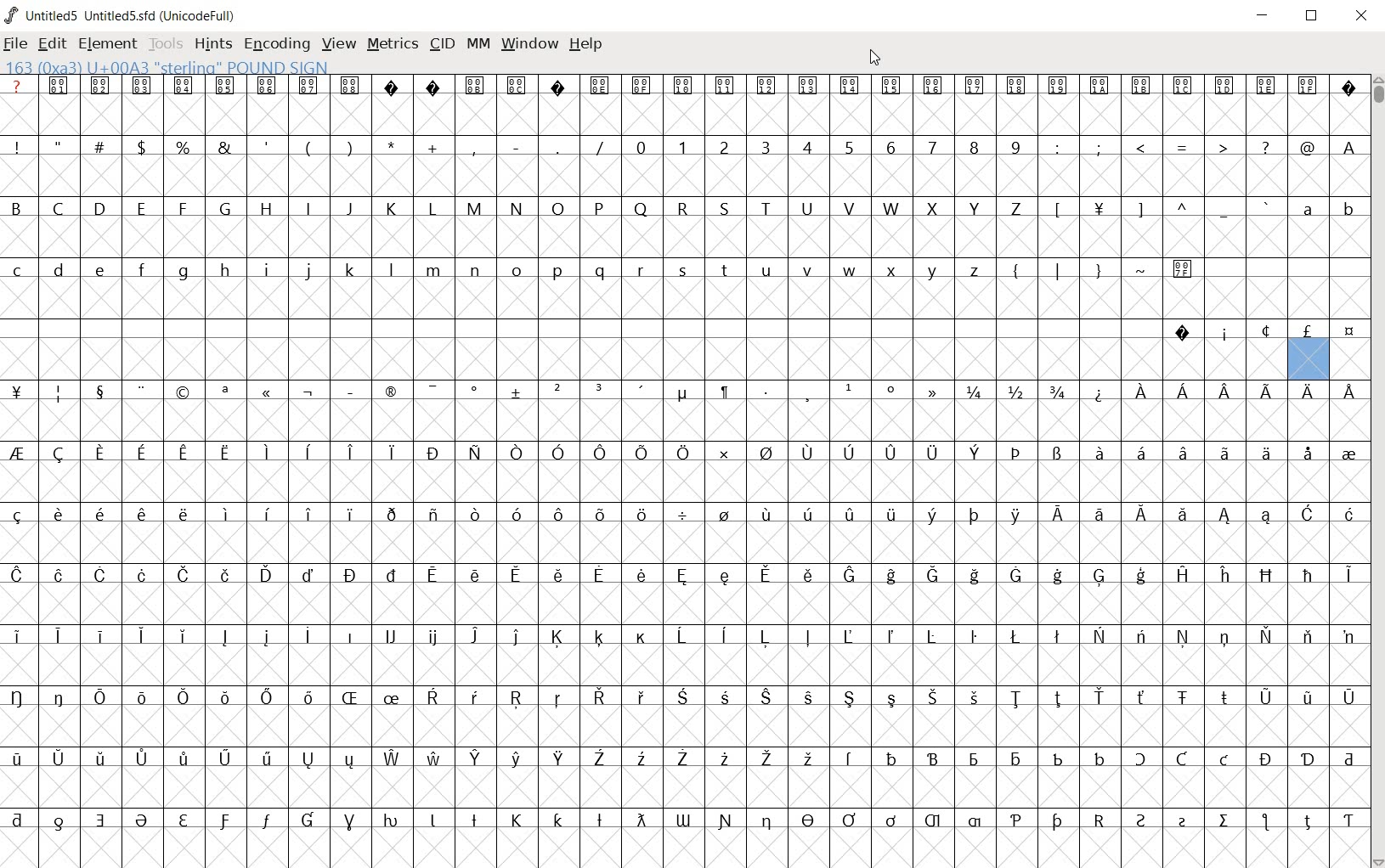  I want to click on w, so click(848, 270).